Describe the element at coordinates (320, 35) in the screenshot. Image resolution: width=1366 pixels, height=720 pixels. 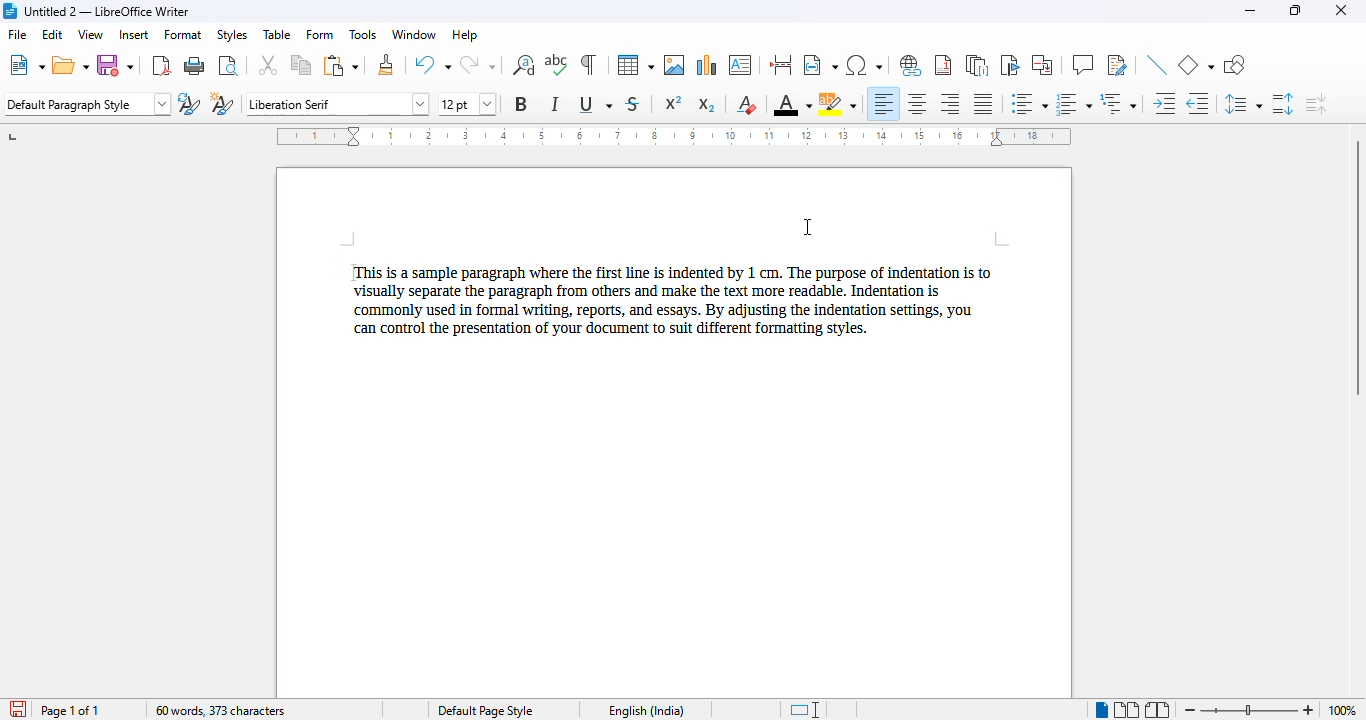
I see `form` at that location.